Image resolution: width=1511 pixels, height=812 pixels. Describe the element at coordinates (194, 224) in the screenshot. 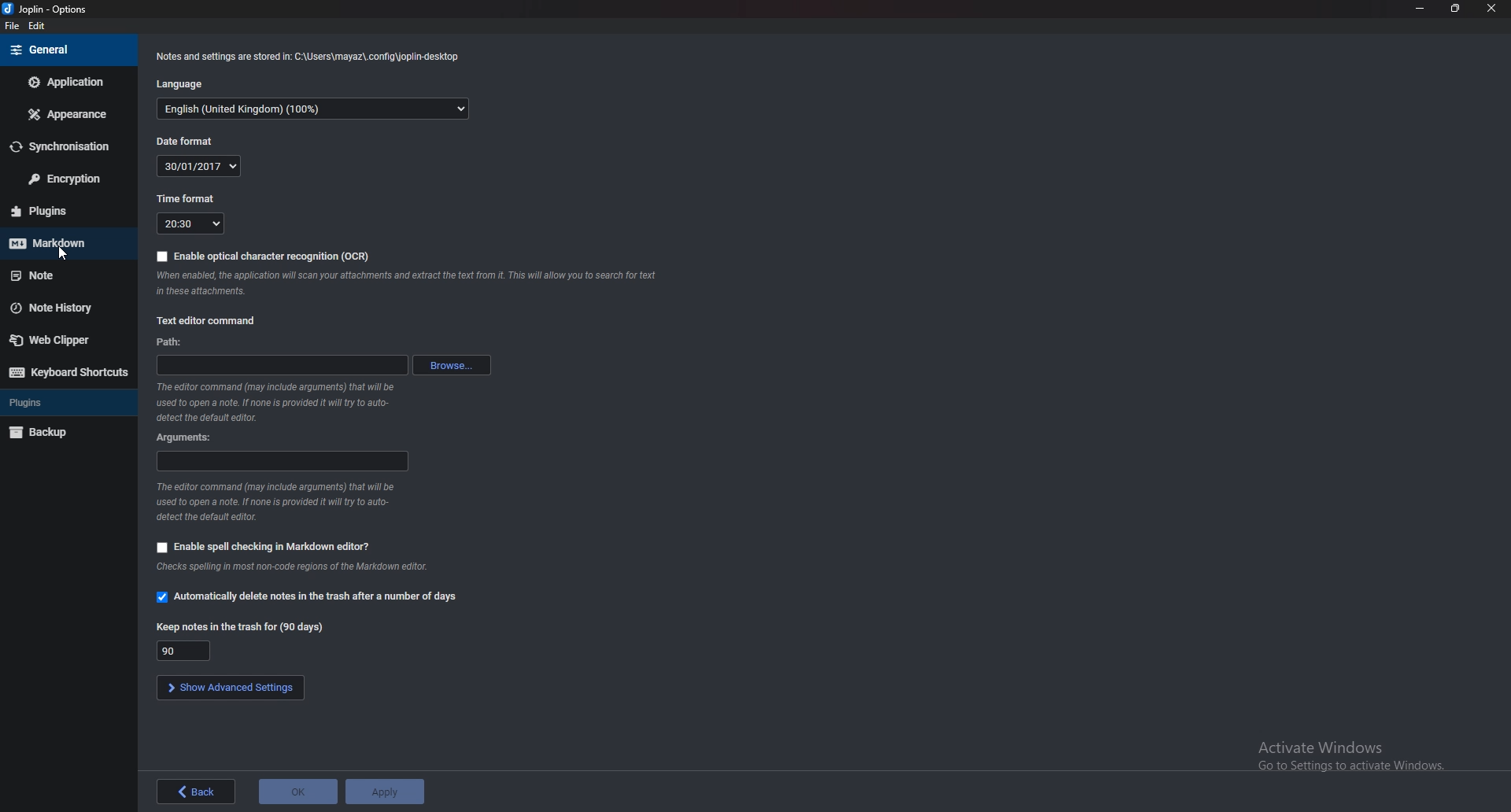

I see `Time format` at that location.